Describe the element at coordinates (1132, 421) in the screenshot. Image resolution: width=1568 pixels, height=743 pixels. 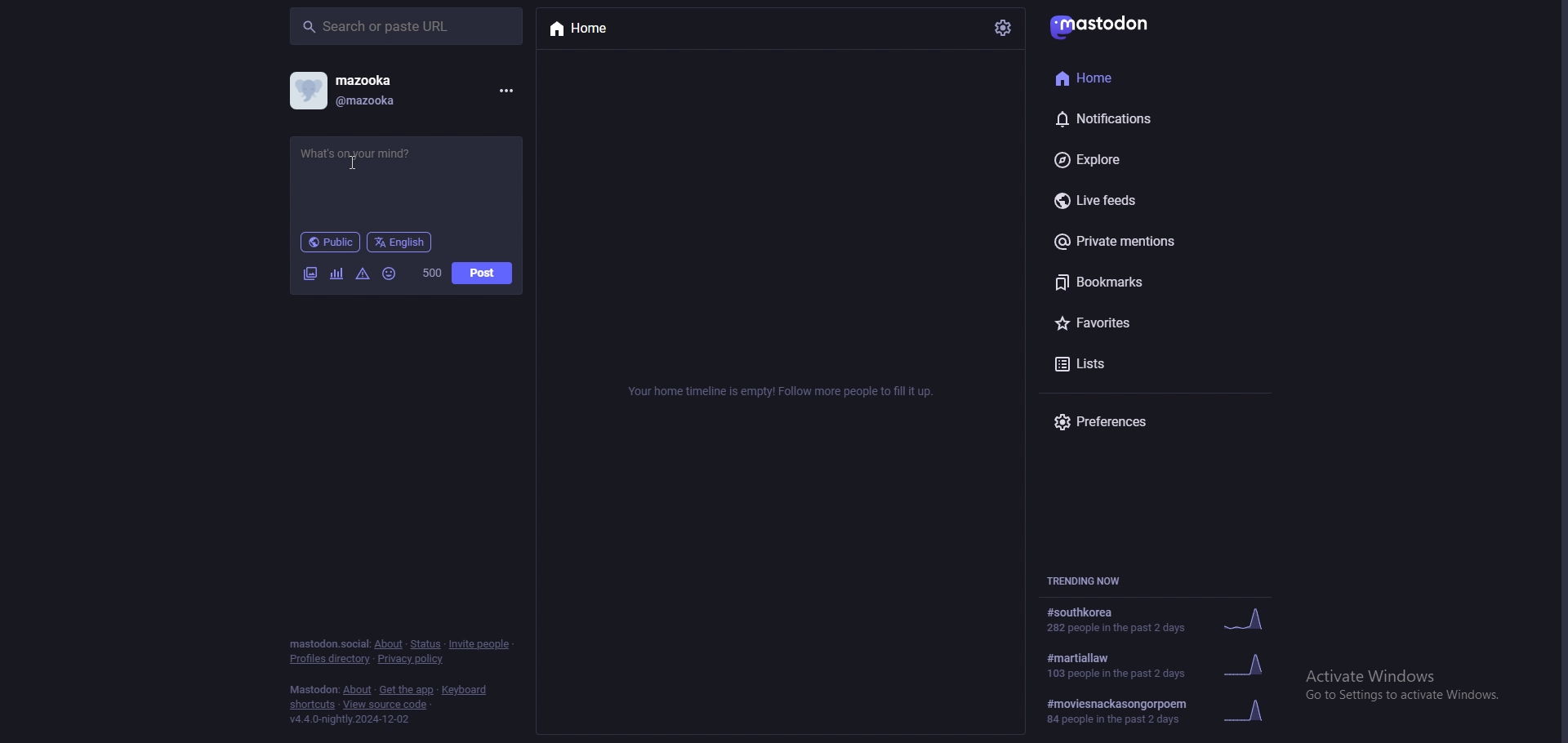
I see `preferences` at that location.